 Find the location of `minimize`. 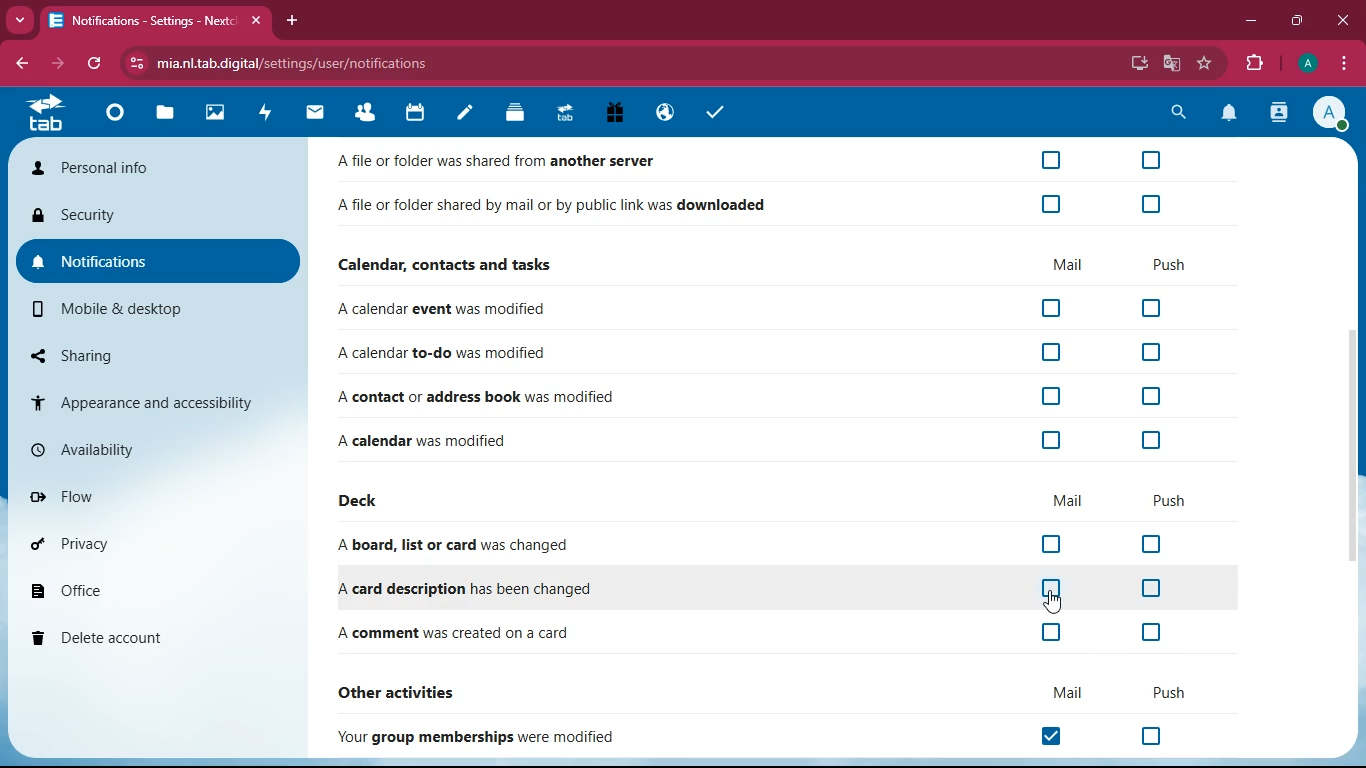

minimize is located at coordinates (1250, 19).